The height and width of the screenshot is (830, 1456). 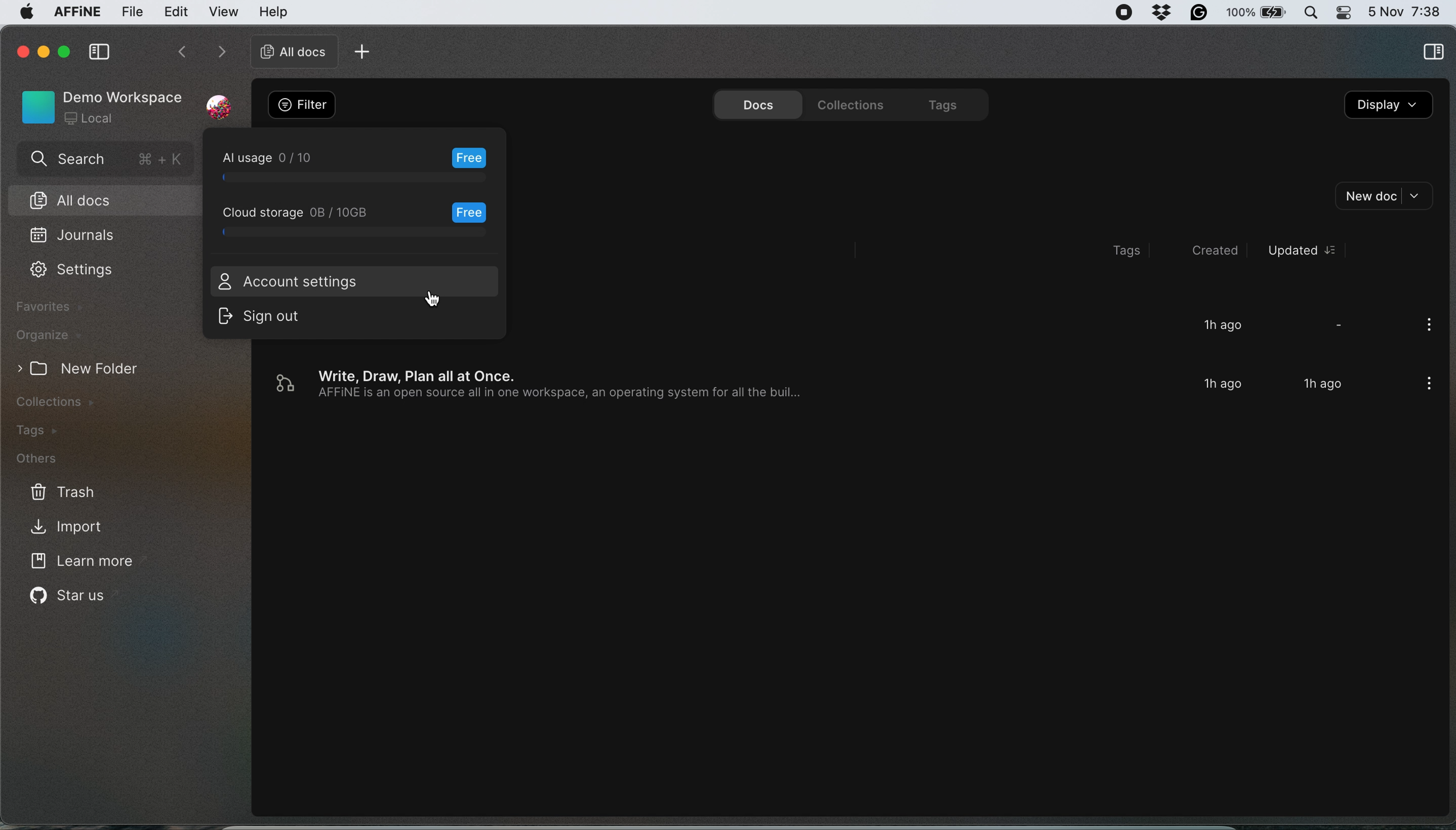 What do you see at coordinates (51, 460) in the screenshot?
I see `others` at bounding box center [51, 460].